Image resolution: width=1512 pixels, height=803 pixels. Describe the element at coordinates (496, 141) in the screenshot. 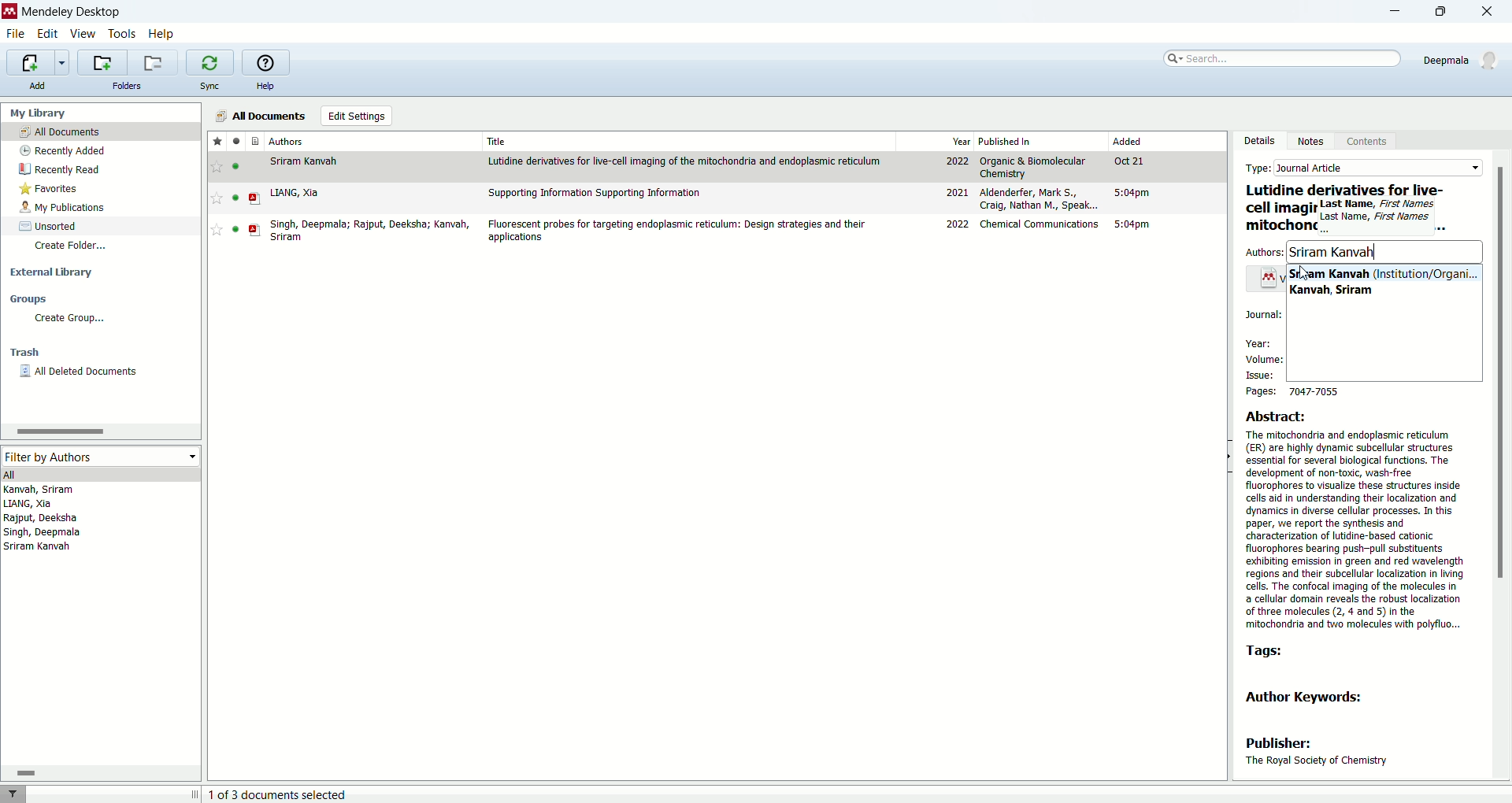

I see `title` at that location.